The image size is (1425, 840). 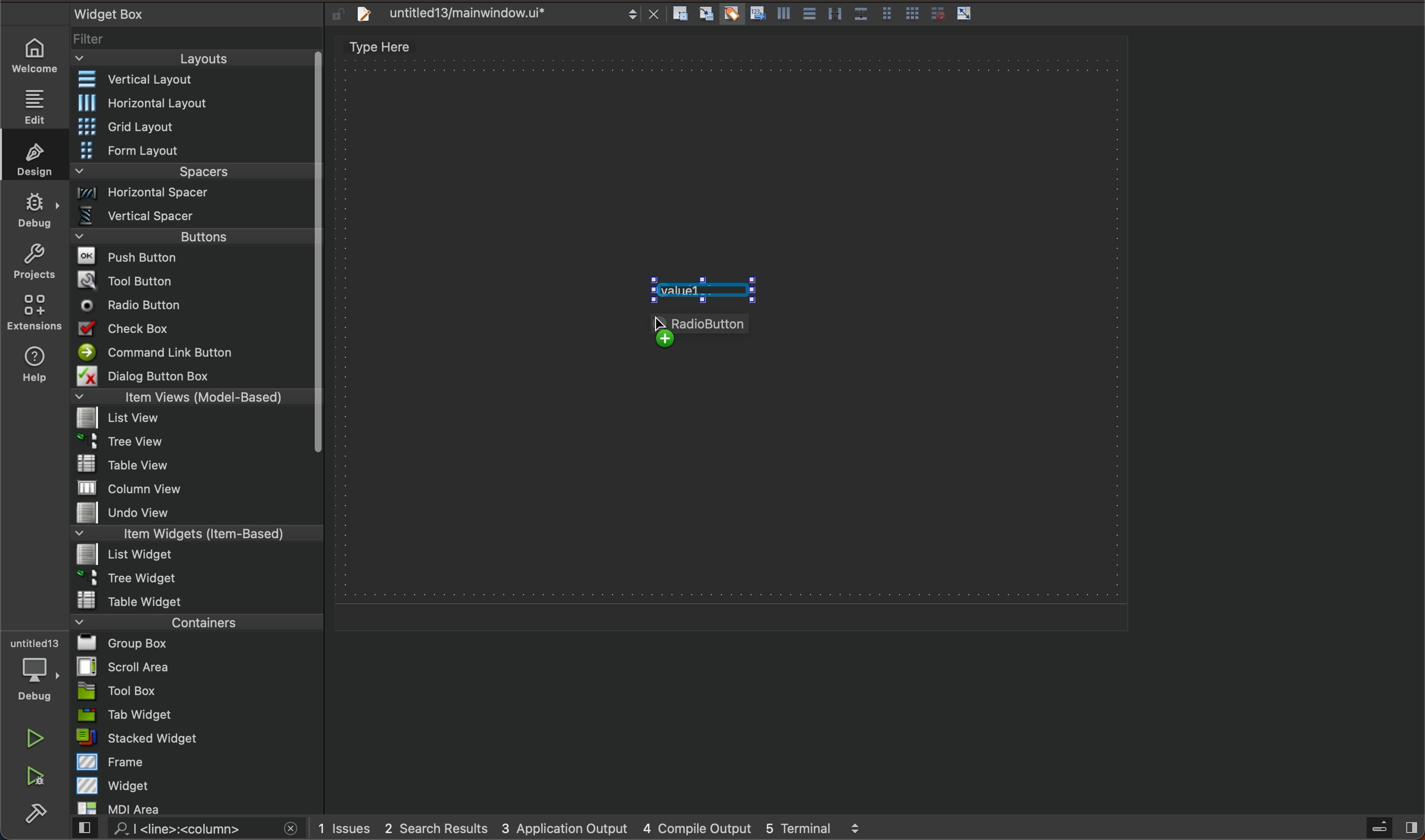 I want to click on item widget, so click(x=194, y=536).